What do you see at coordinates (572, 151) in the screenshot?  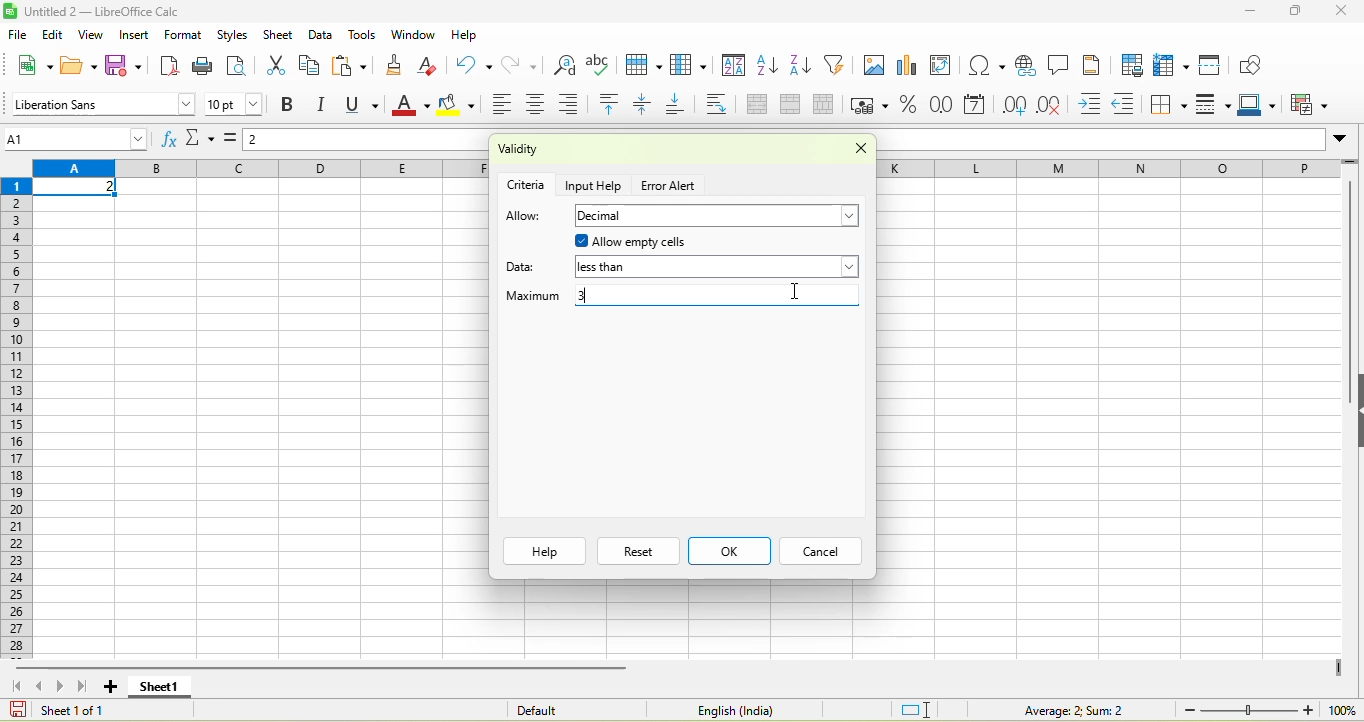 I see `validity` at bounding box center [572, 151].